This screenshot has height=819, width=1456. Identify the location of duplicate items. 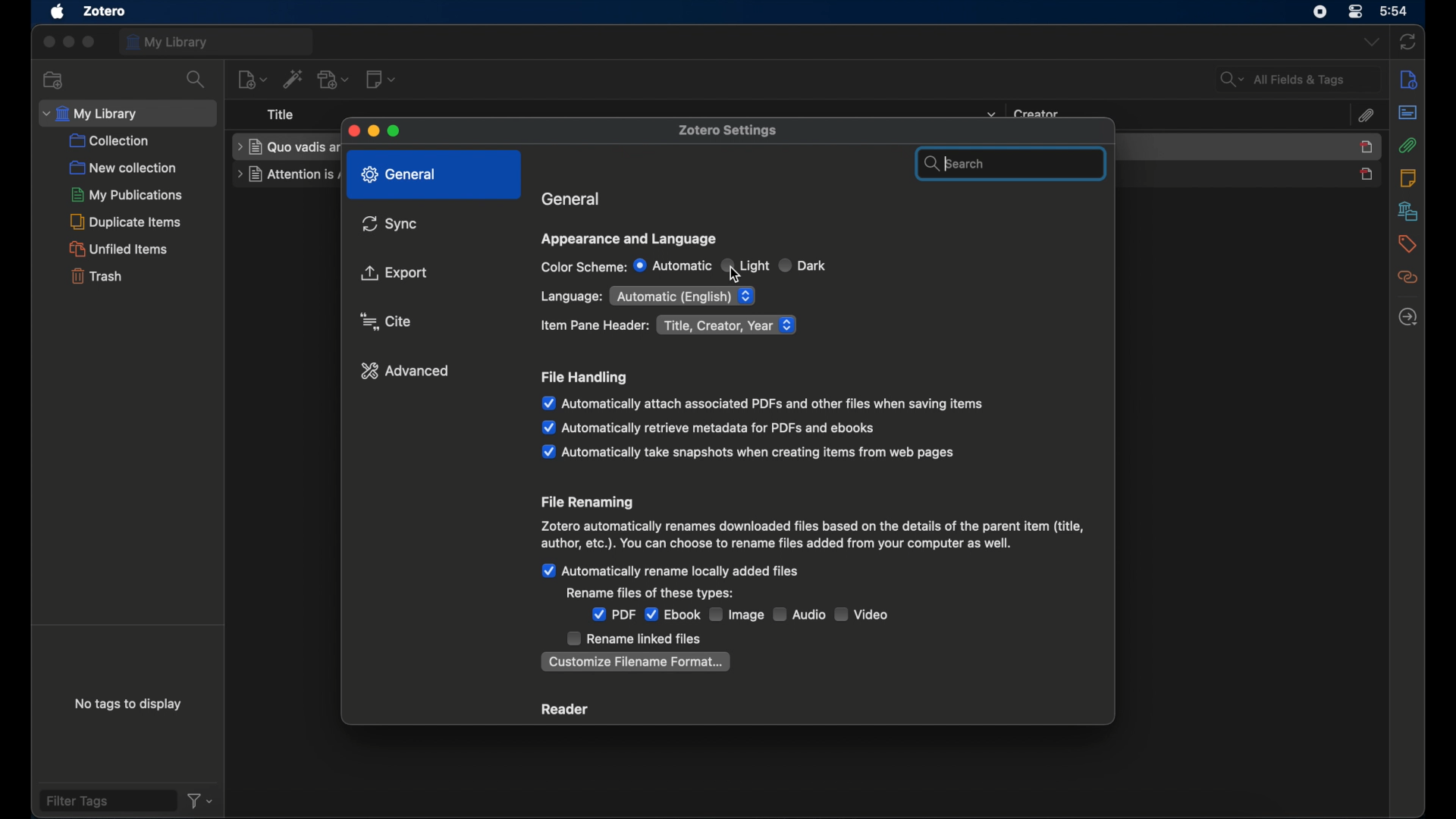
(132, 222).